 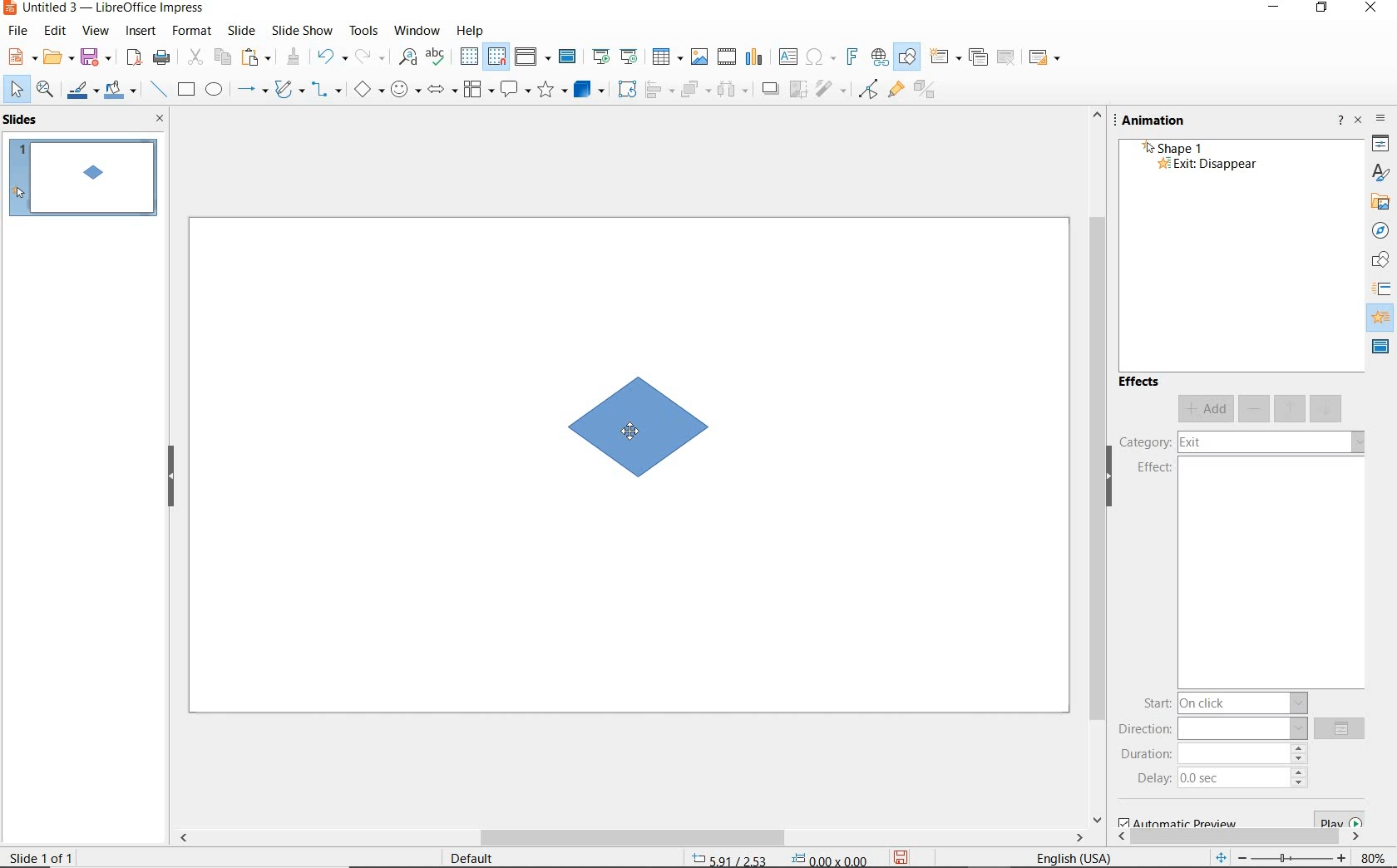 What do you see at coordinates (44, 855) in the screenshot?
I see `slide 1 of 1` at bounding box center [44, 855].